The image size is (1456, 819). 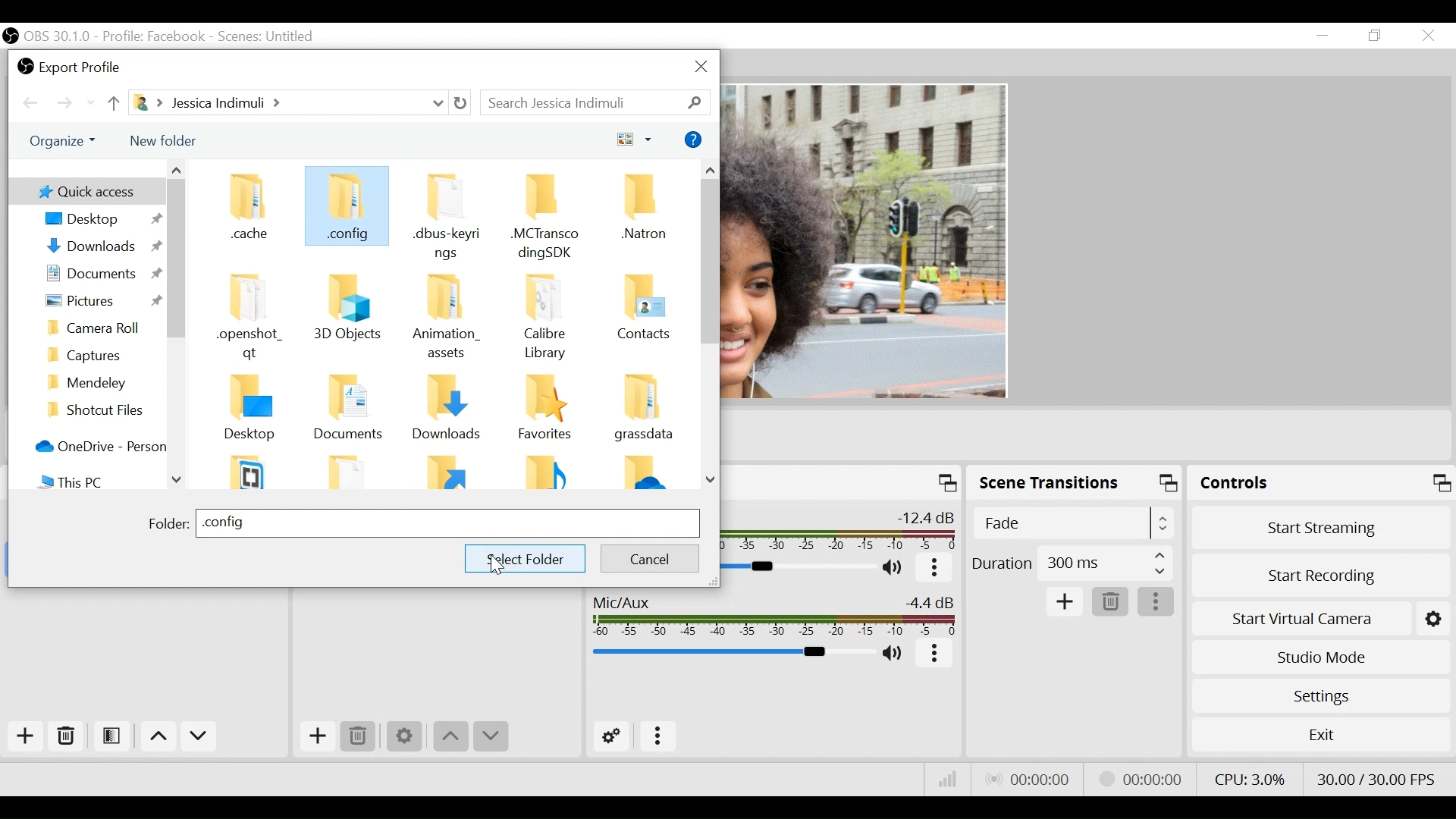 What do you see at coordinates (253, 213) in the screenshot?
I see `Folder` at bounding box center [253, 213].